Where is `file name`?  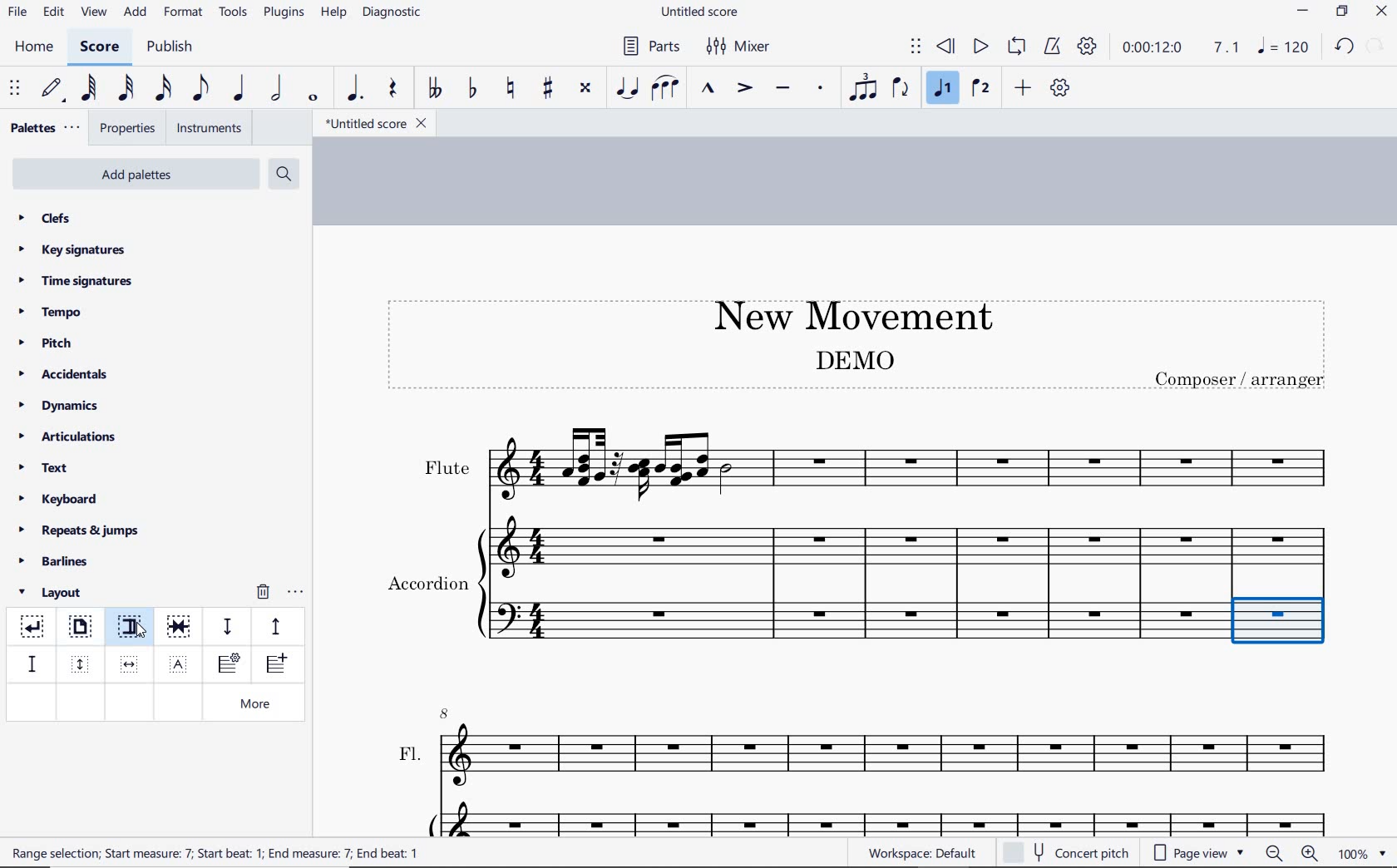
file name is located at coordinates (702, 12).